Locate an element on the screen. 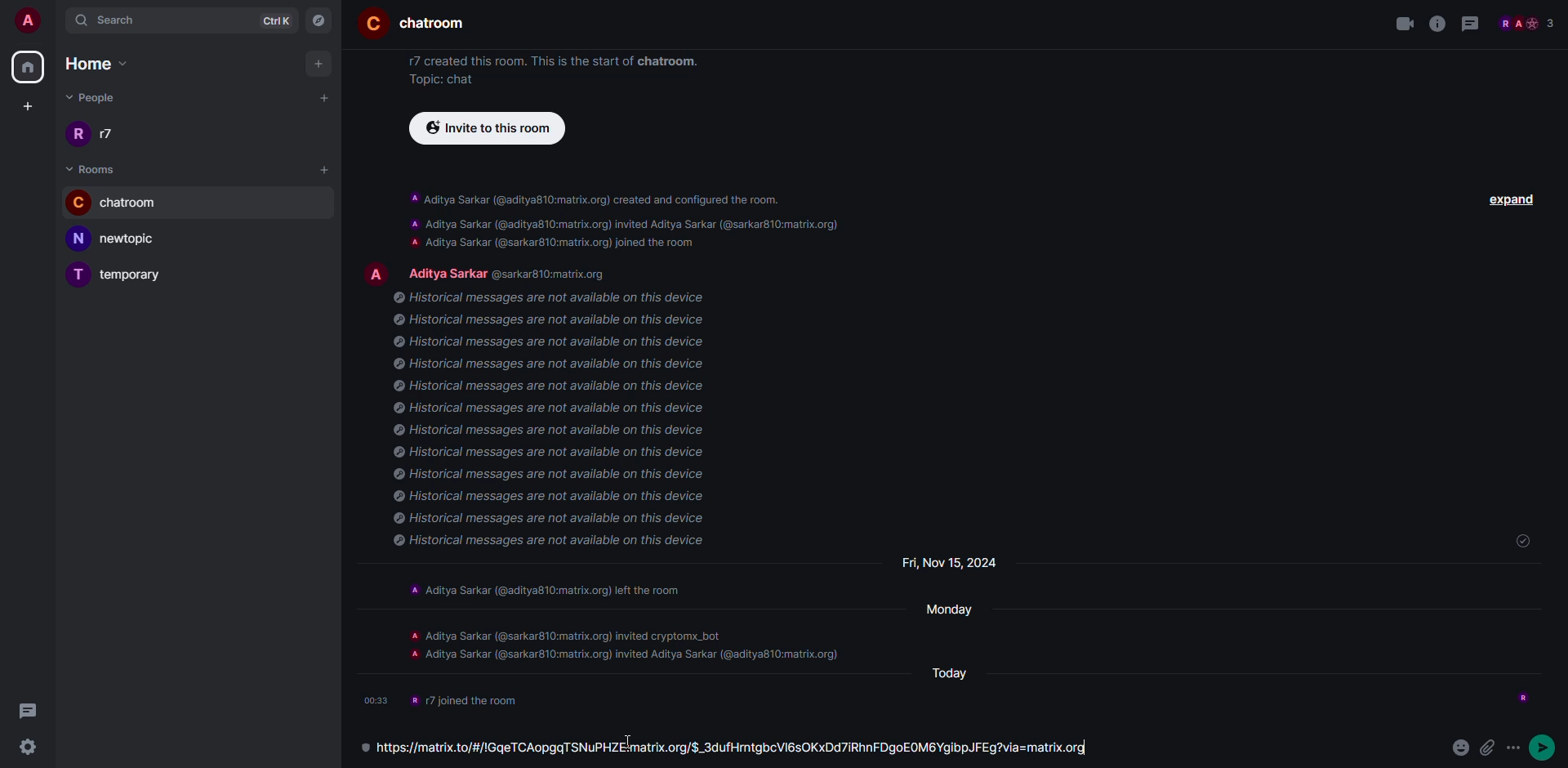 The image size is (1568, 768). time is located at coordinates (376, 699).